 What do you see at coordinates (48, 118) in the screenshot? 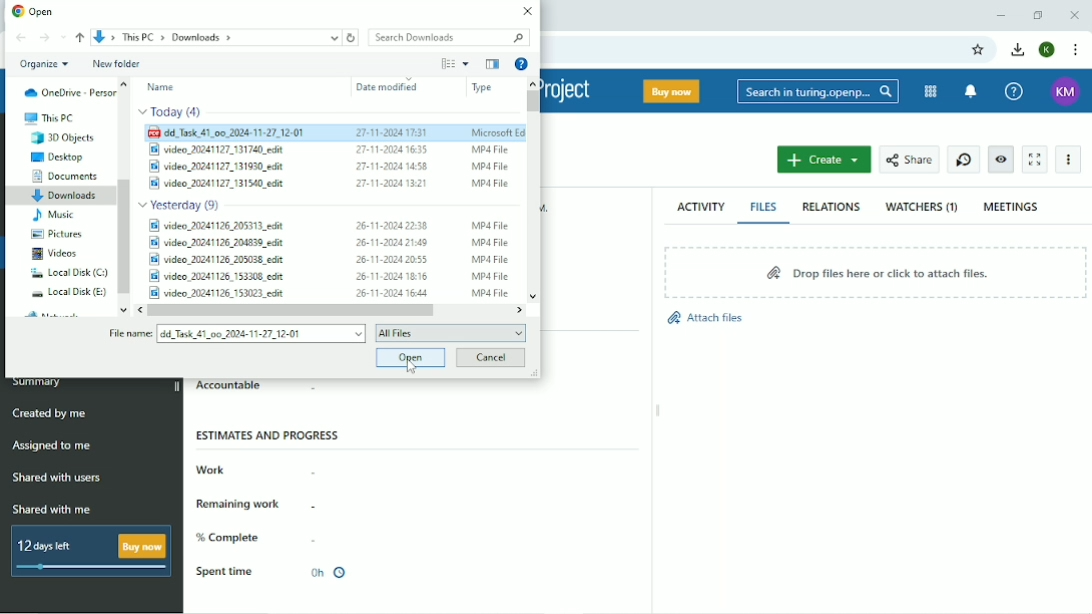
I see `This PC` at bounding box center [48, 118].